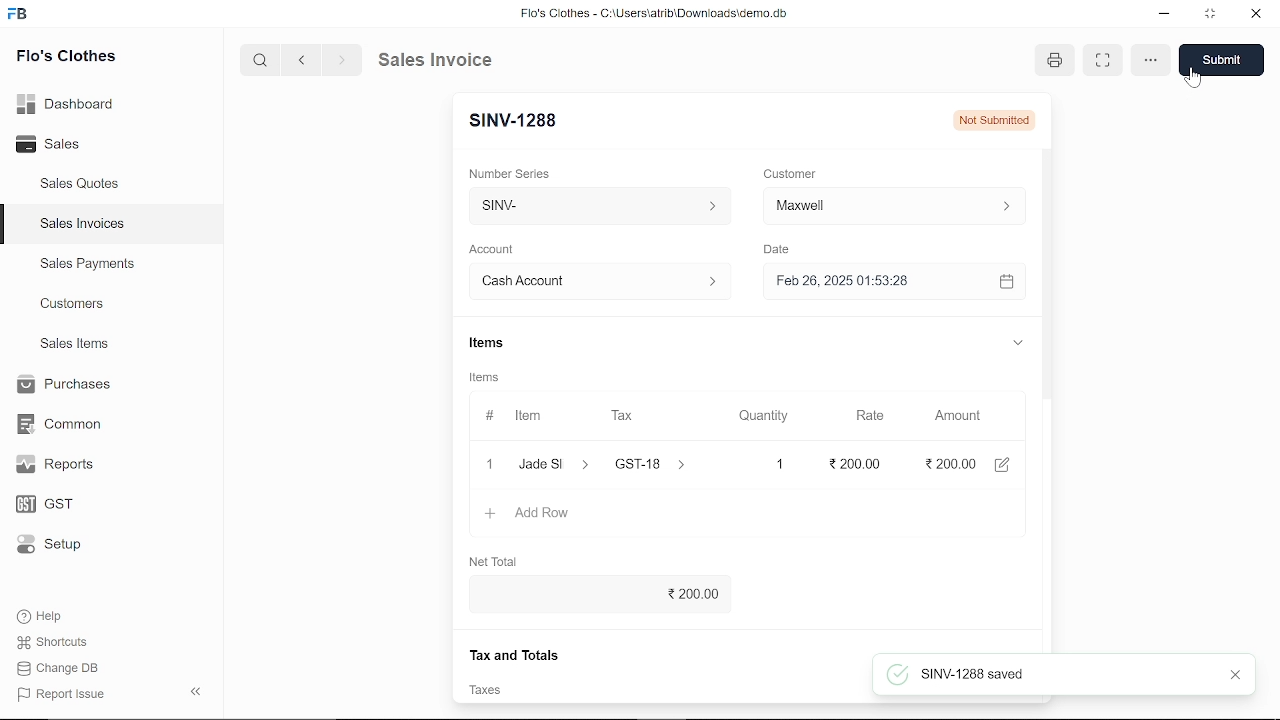  What do you see at coordinates (497, 250) in the screenshot?
I see `Account` at bounding box center [497, 250].